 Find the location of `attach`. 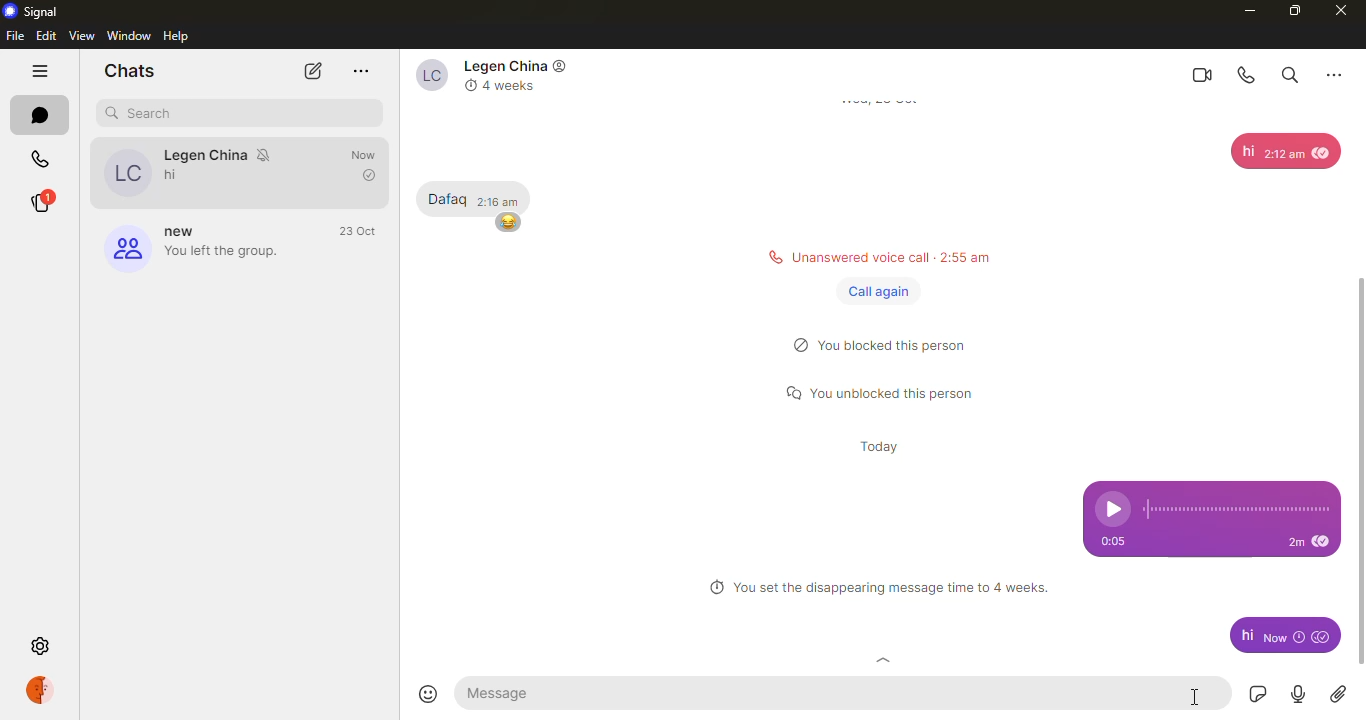

attach is located at coordinates (1338, 694).